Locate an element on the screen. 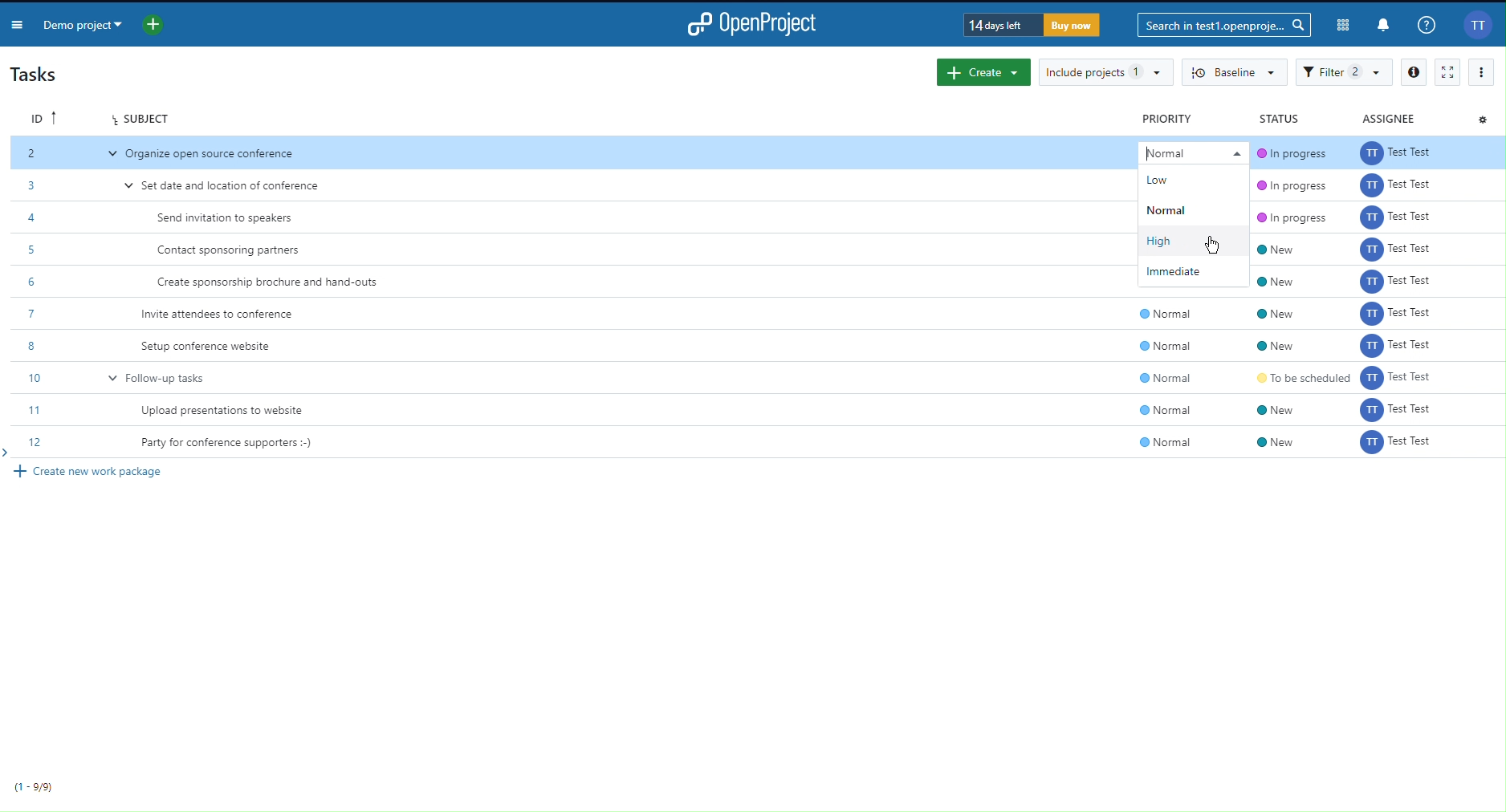 This screenshot has height=812, width=1506. ID is located at coordinates (43, 116).